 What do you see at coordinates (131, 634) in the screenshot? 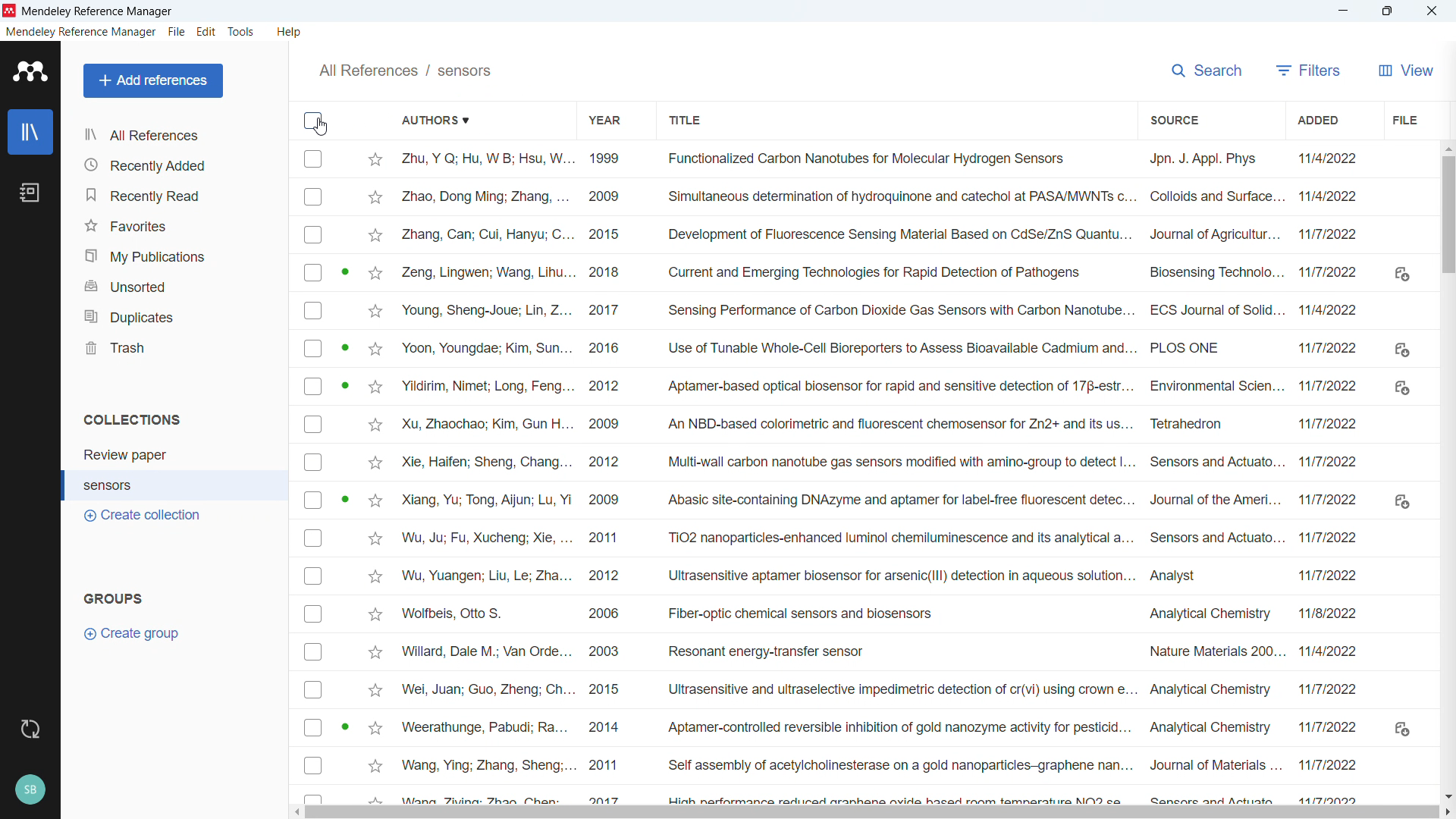
I see `create group` at bounding box center [131, 634].